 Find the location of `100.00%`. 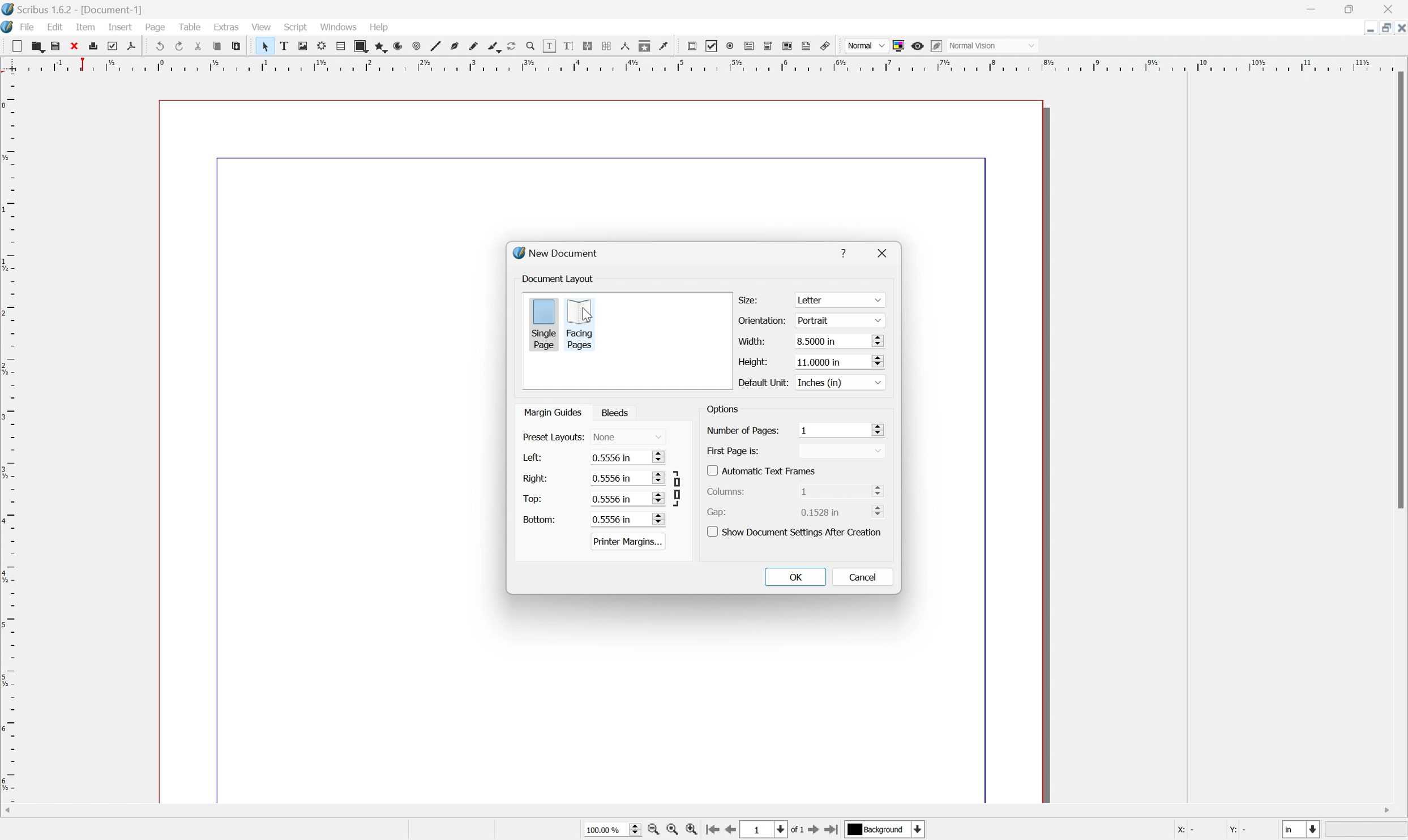

100.00% is located at coordinates (608, 829).